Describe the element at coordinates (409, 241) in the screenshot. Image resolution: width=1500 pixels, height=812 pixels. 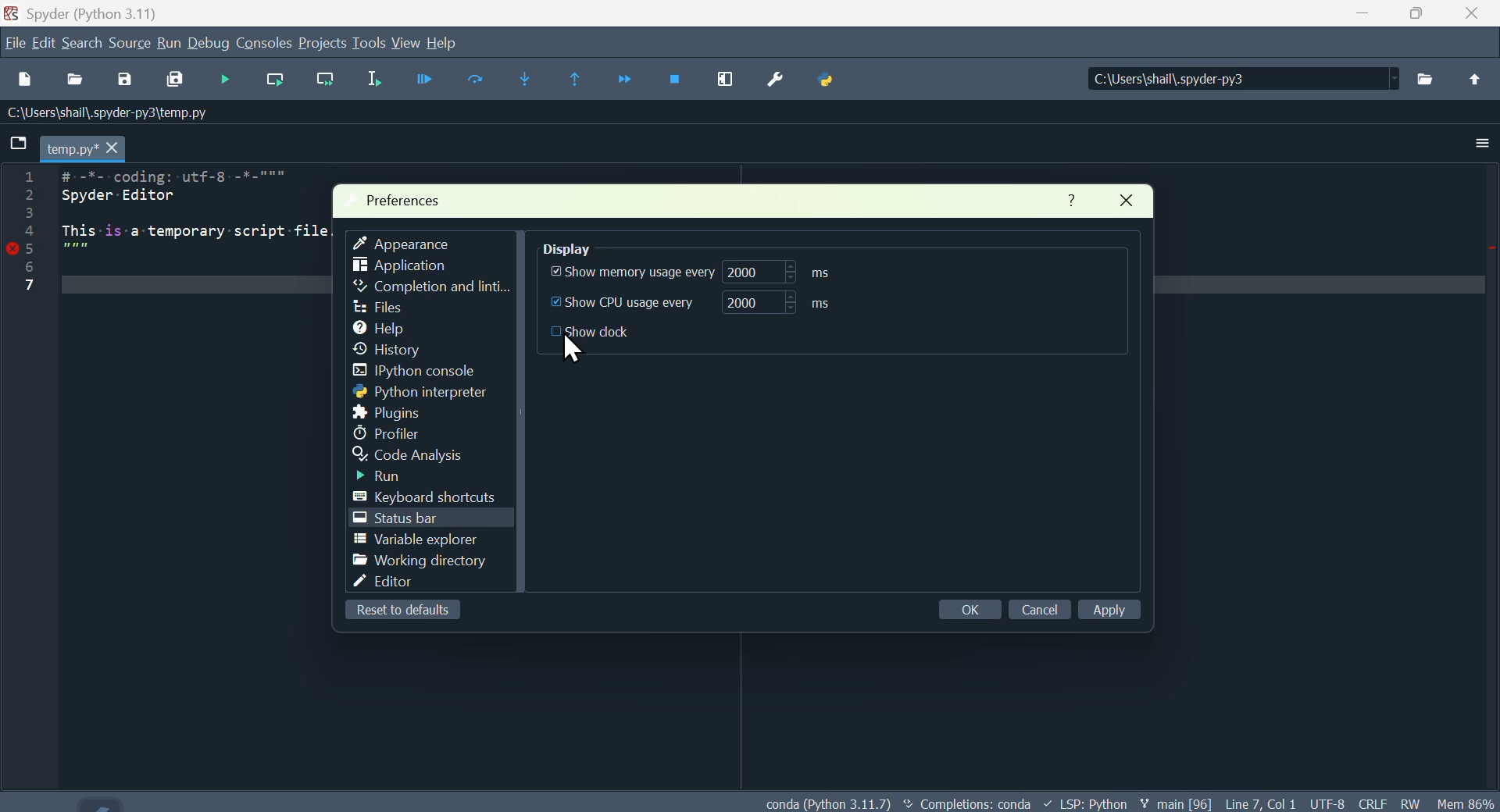
I see `Appearance` at that location.